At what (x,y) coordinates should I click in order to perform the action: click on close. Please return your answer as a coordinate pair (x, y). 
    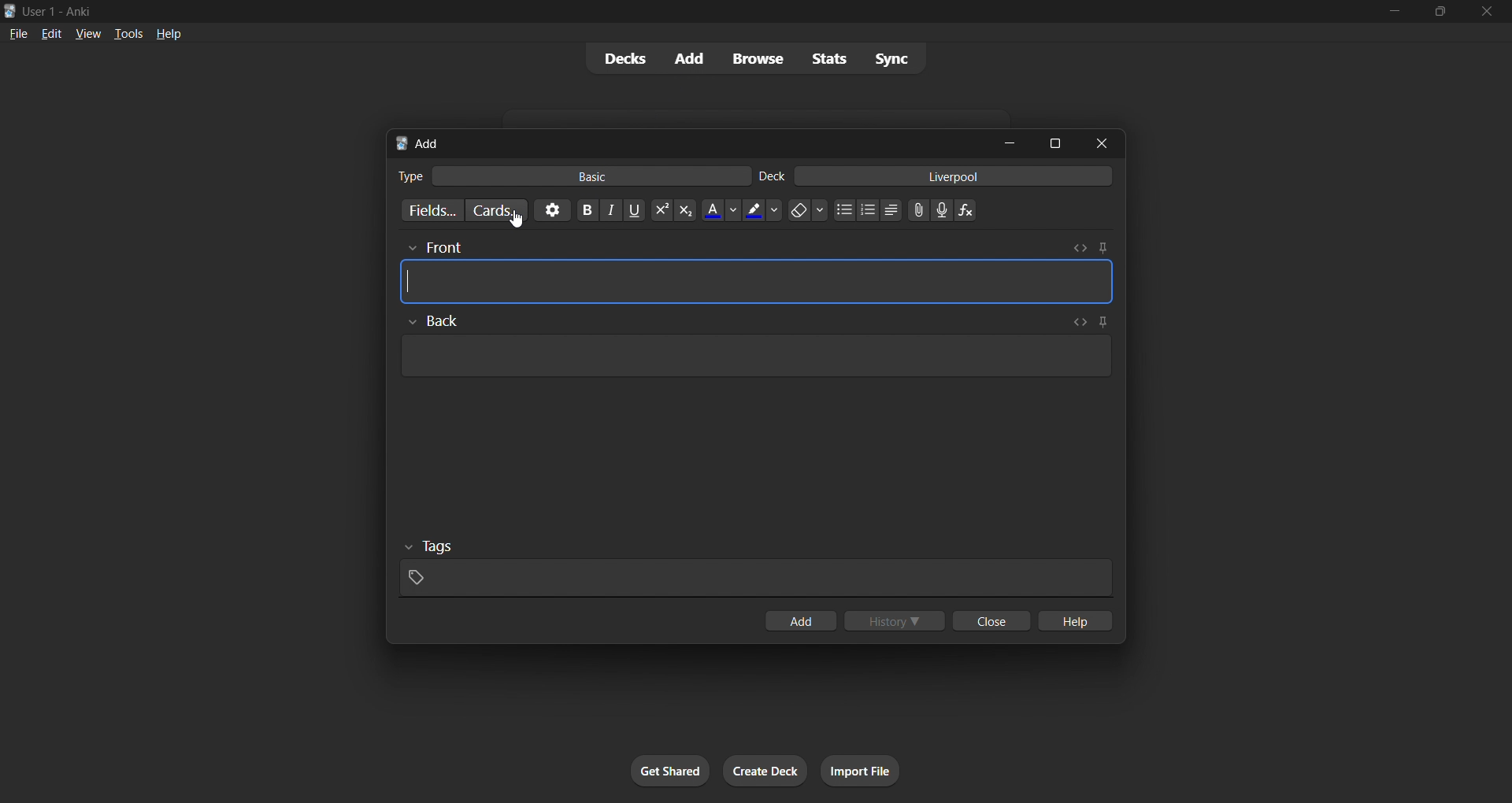
    Looking at the image, I should click on (1487, 12).